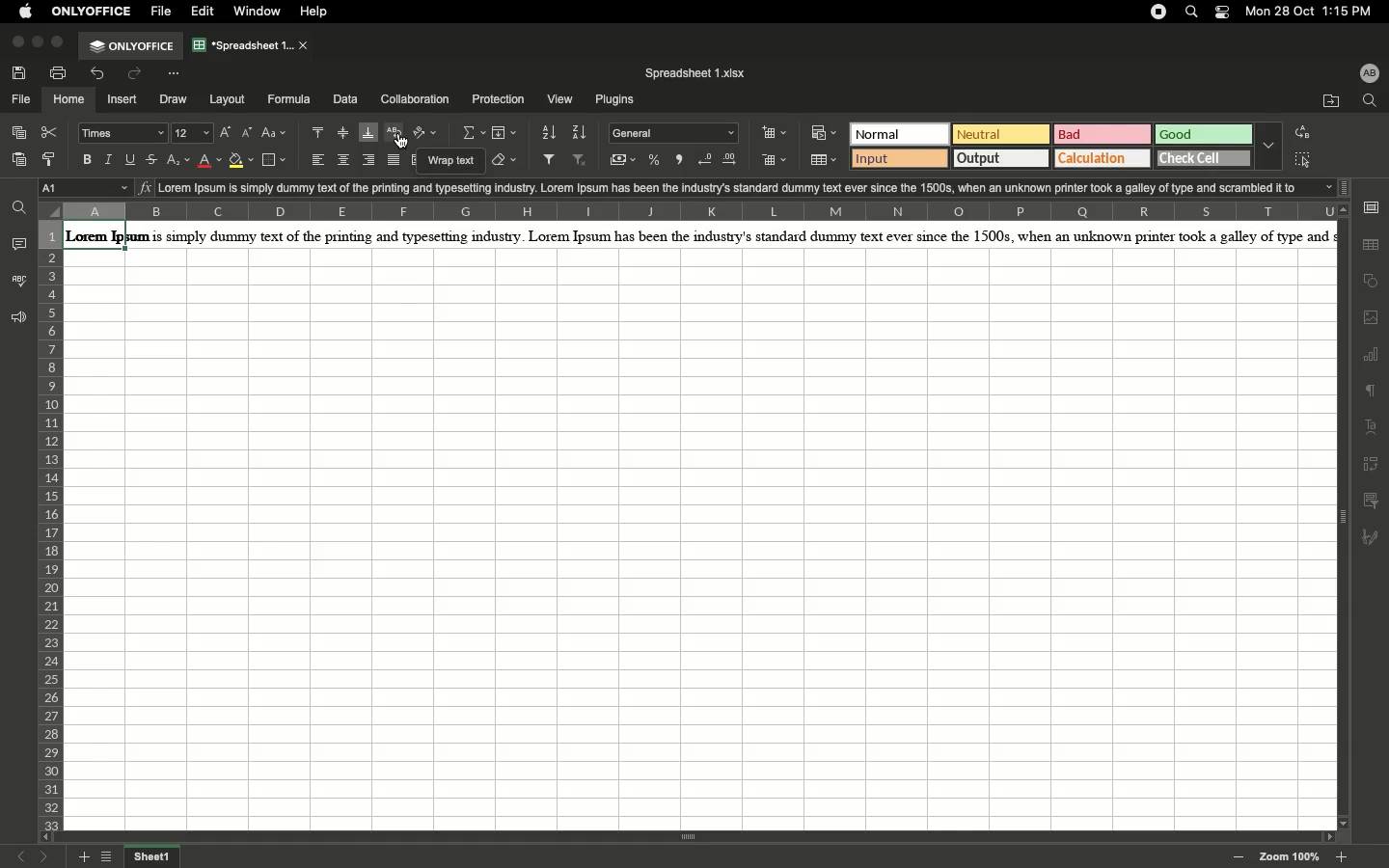 The height and width of the screenshot is (868, 1389). Describe the element at coordinates (1344, 209) in the screenshot. I see `move up` at that location.